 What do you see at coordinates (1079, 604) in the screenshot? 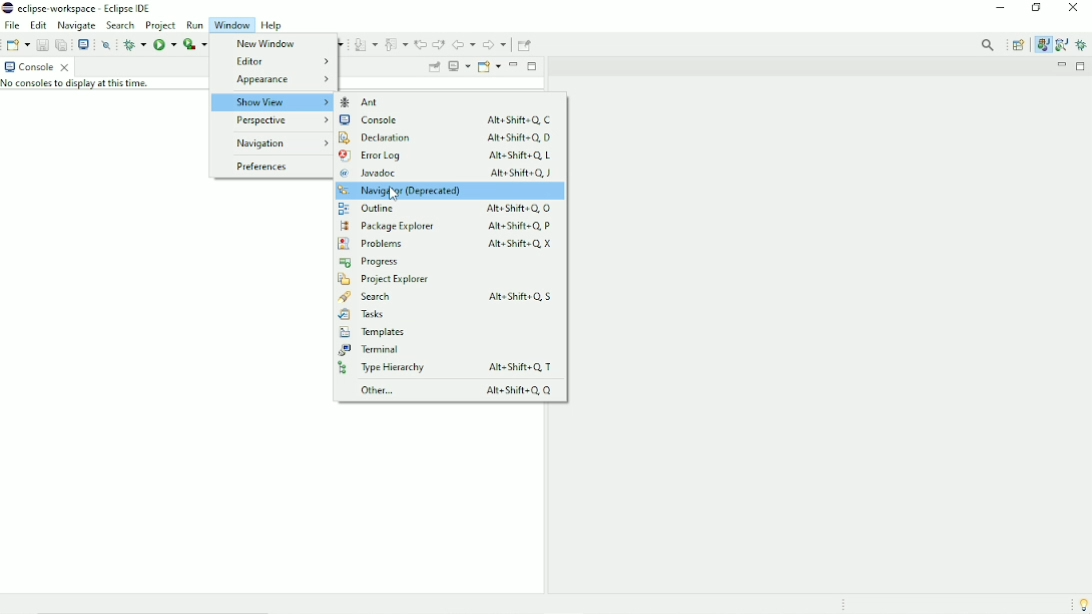
I see `Tip` at bounding box center [1079, 604].